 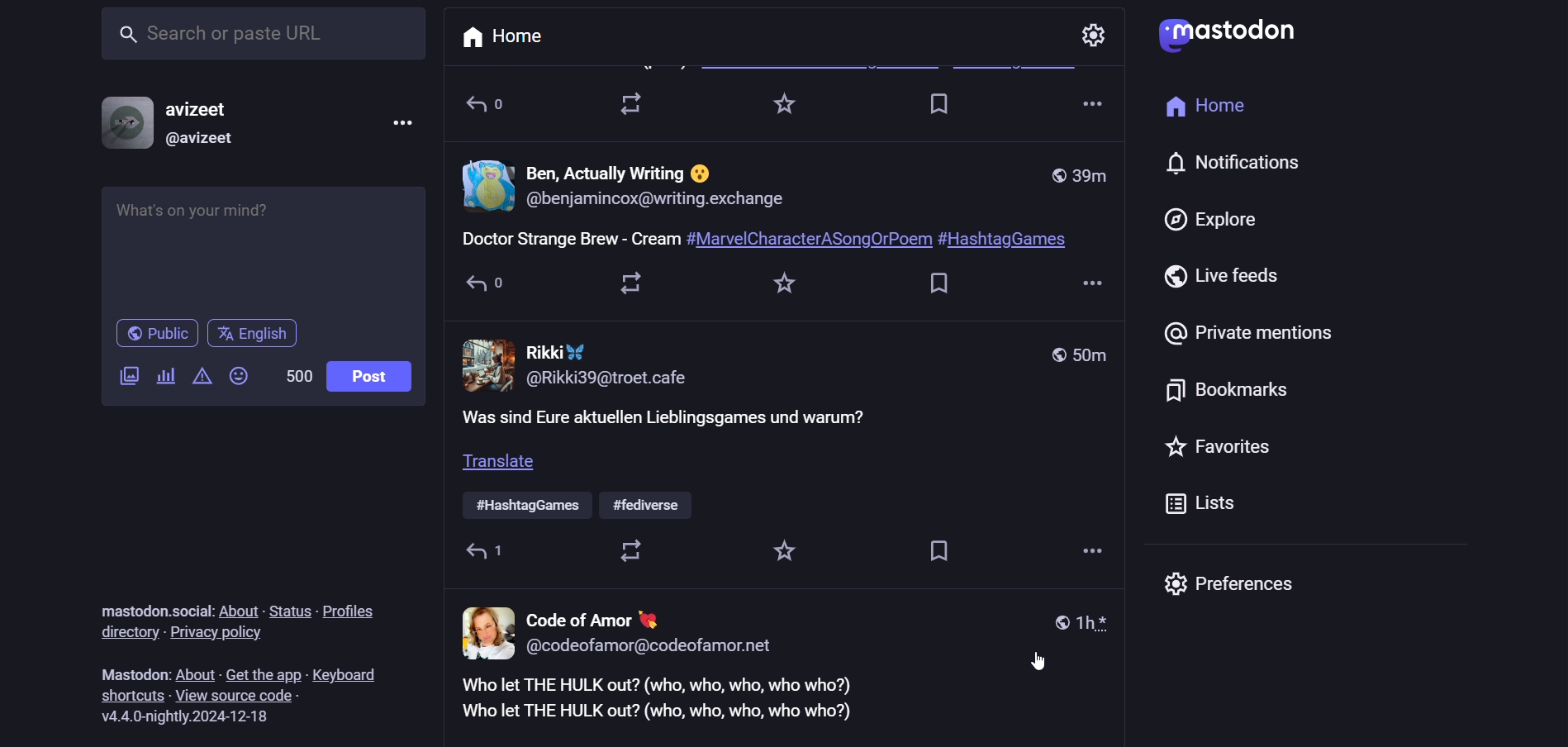 I want to click on about, so click(x=195, y=671).